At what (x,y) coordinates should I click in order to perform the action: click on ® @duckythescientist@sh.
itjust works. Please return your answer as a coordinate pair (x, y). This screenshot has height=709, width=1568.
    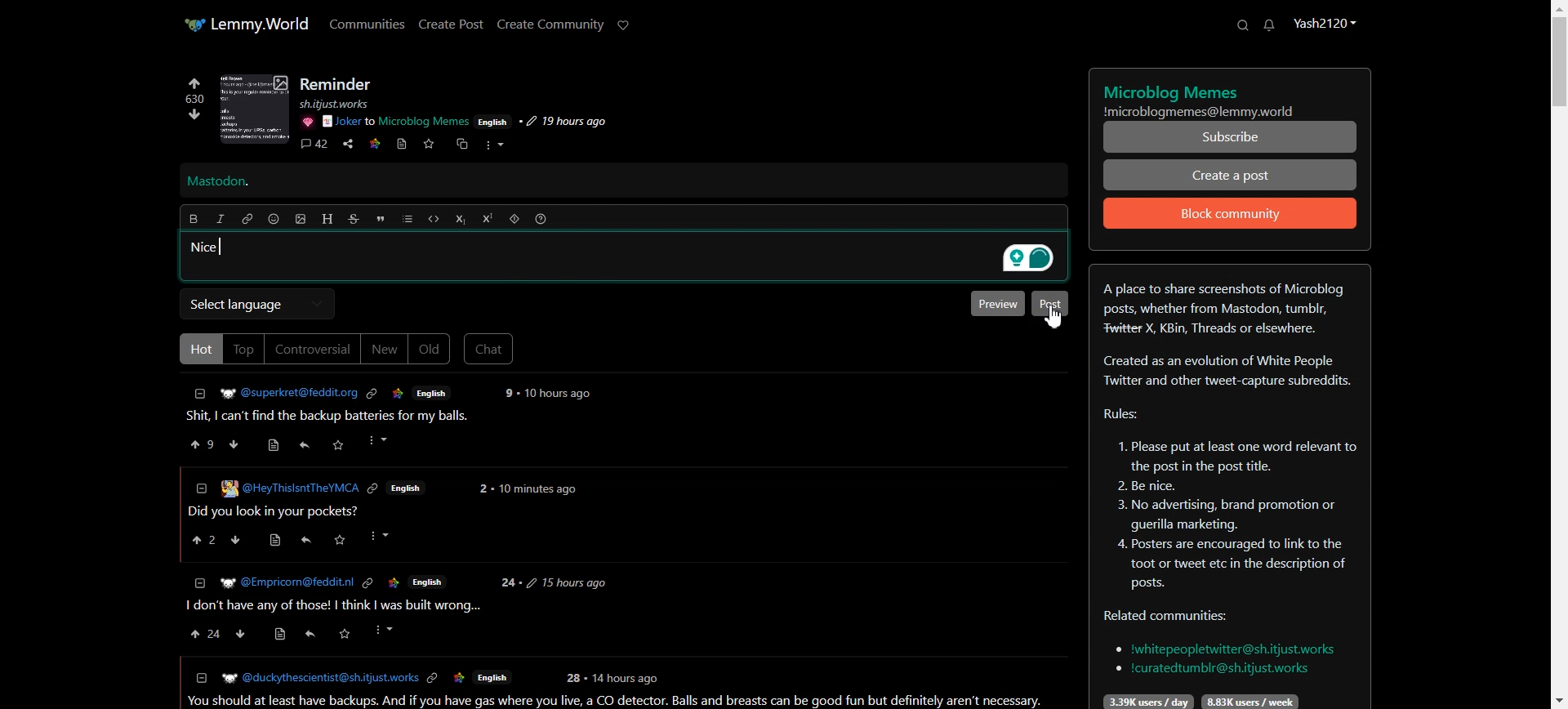
    Looking at the image, I should click on (319, 678).